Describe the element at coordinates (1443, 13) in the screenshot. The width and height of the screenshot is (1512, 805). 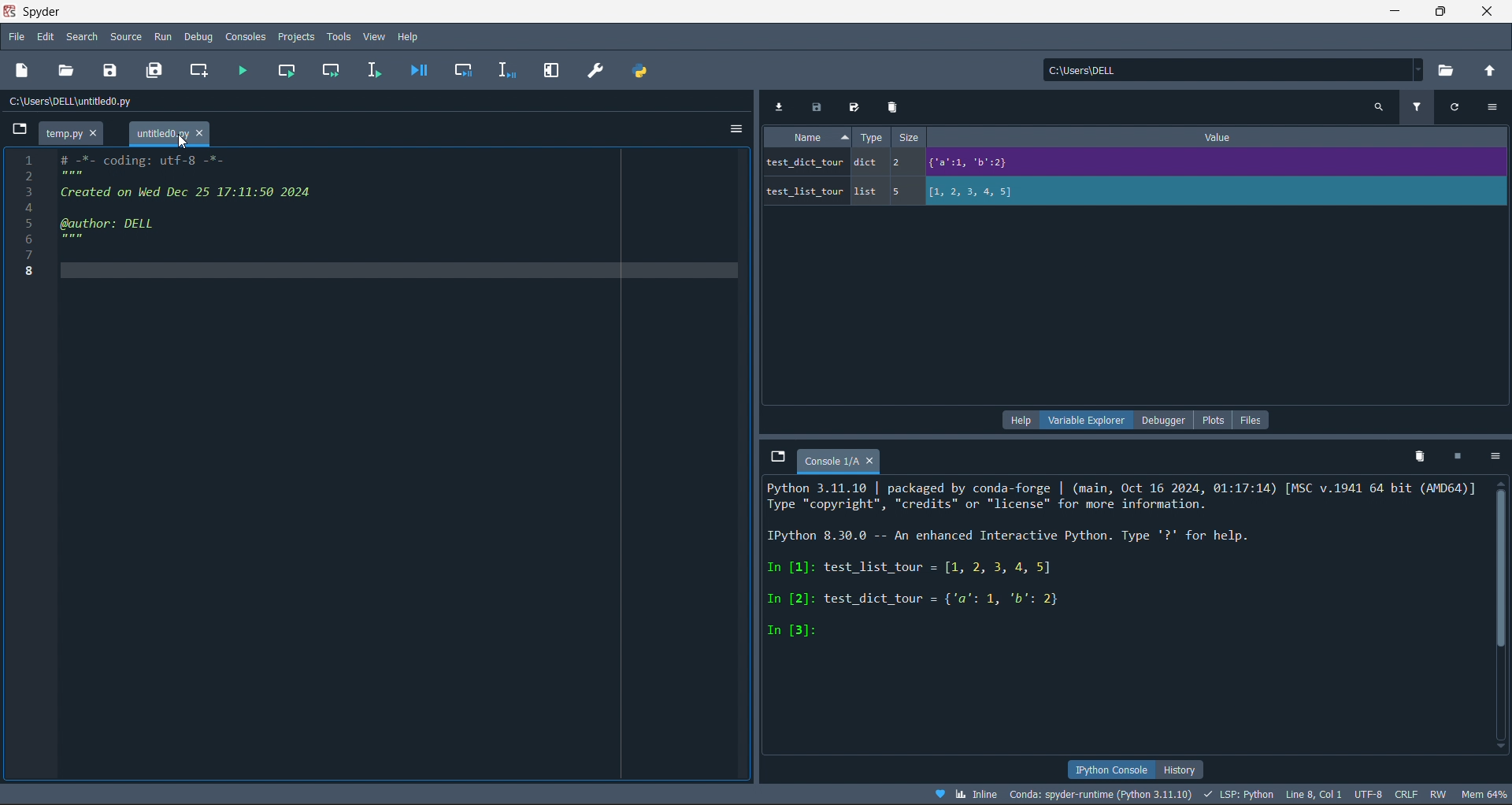
I see `maximize/restore` at that location.